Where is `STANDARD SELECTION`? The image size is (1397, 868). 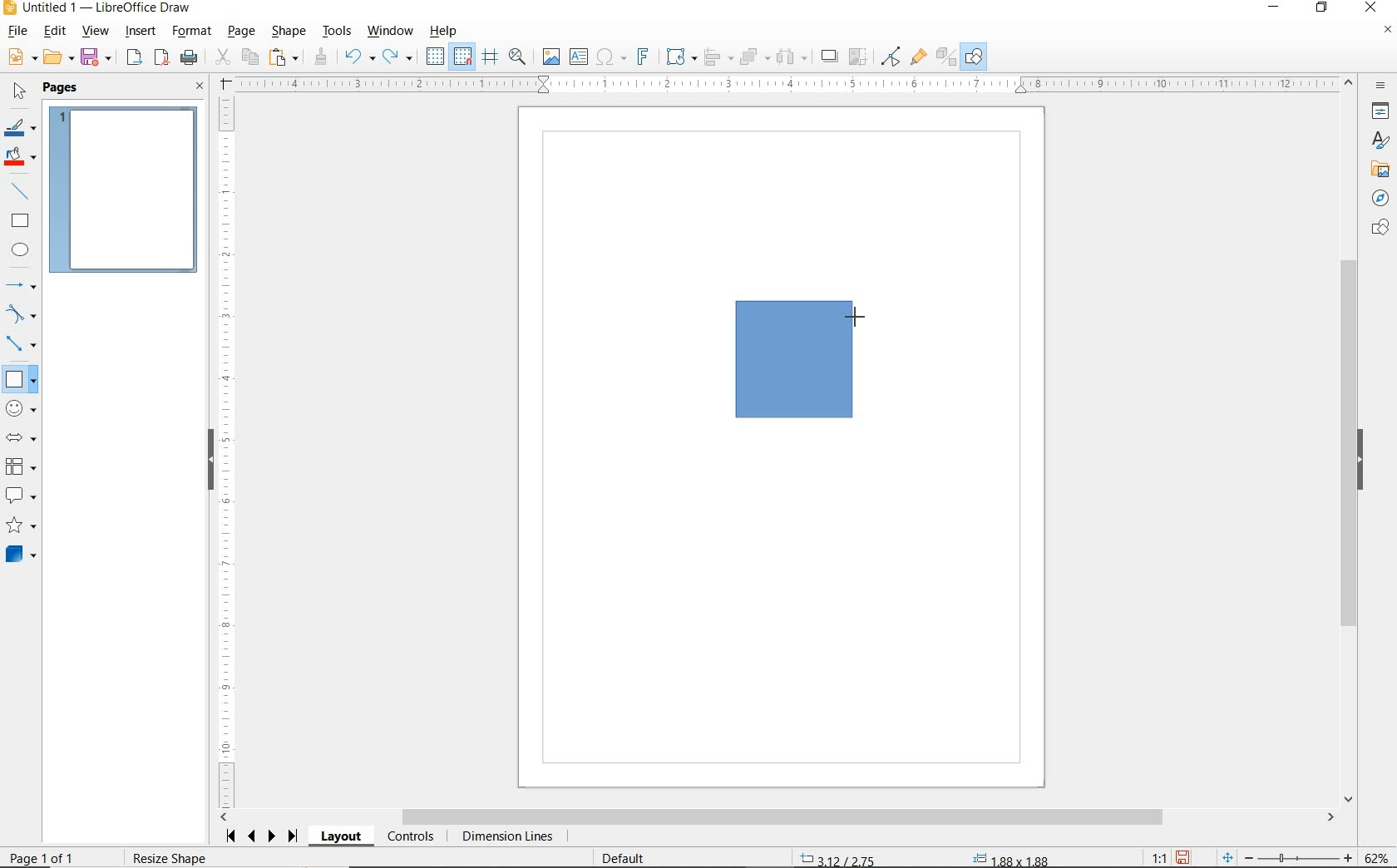 STANDARD SELECTION is located at coordinates (926, 856).